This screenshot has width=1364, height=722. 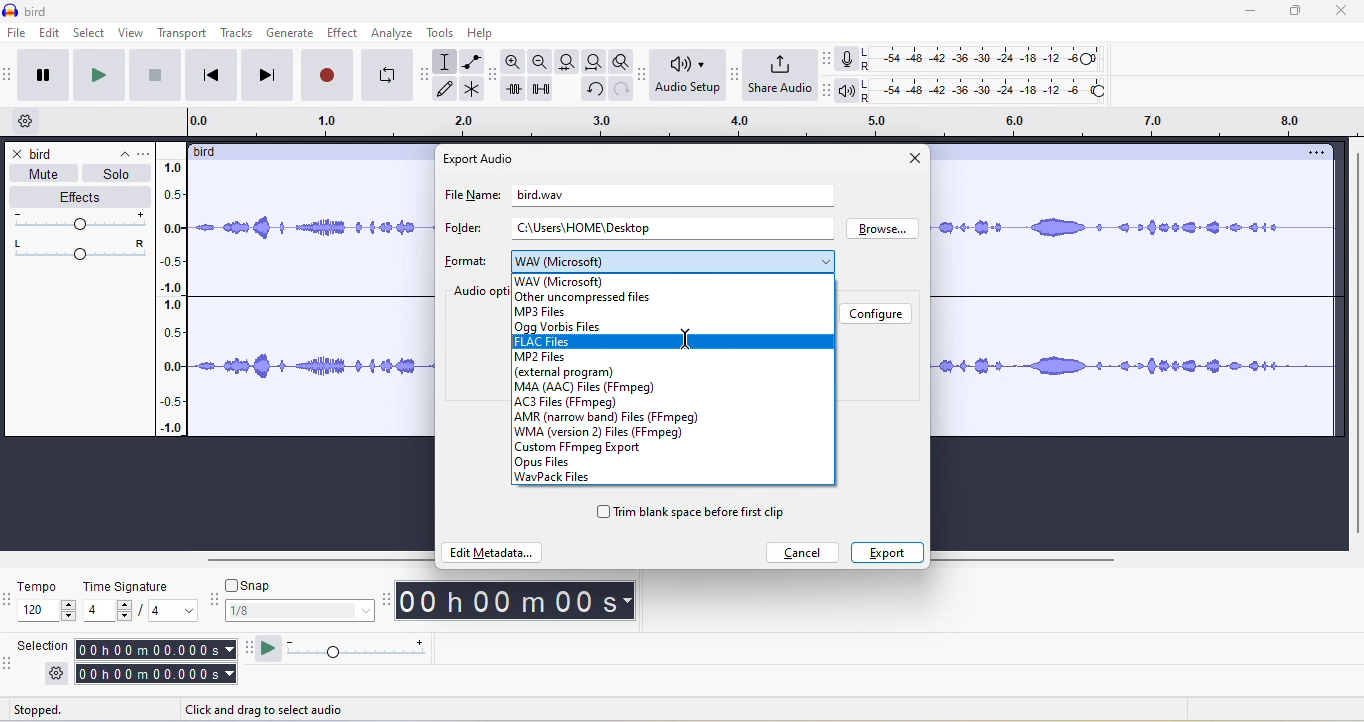 What do you see at coordinates (450, 90) in the screenshot?
I see `draw tool` at bounding box center [450, 90].